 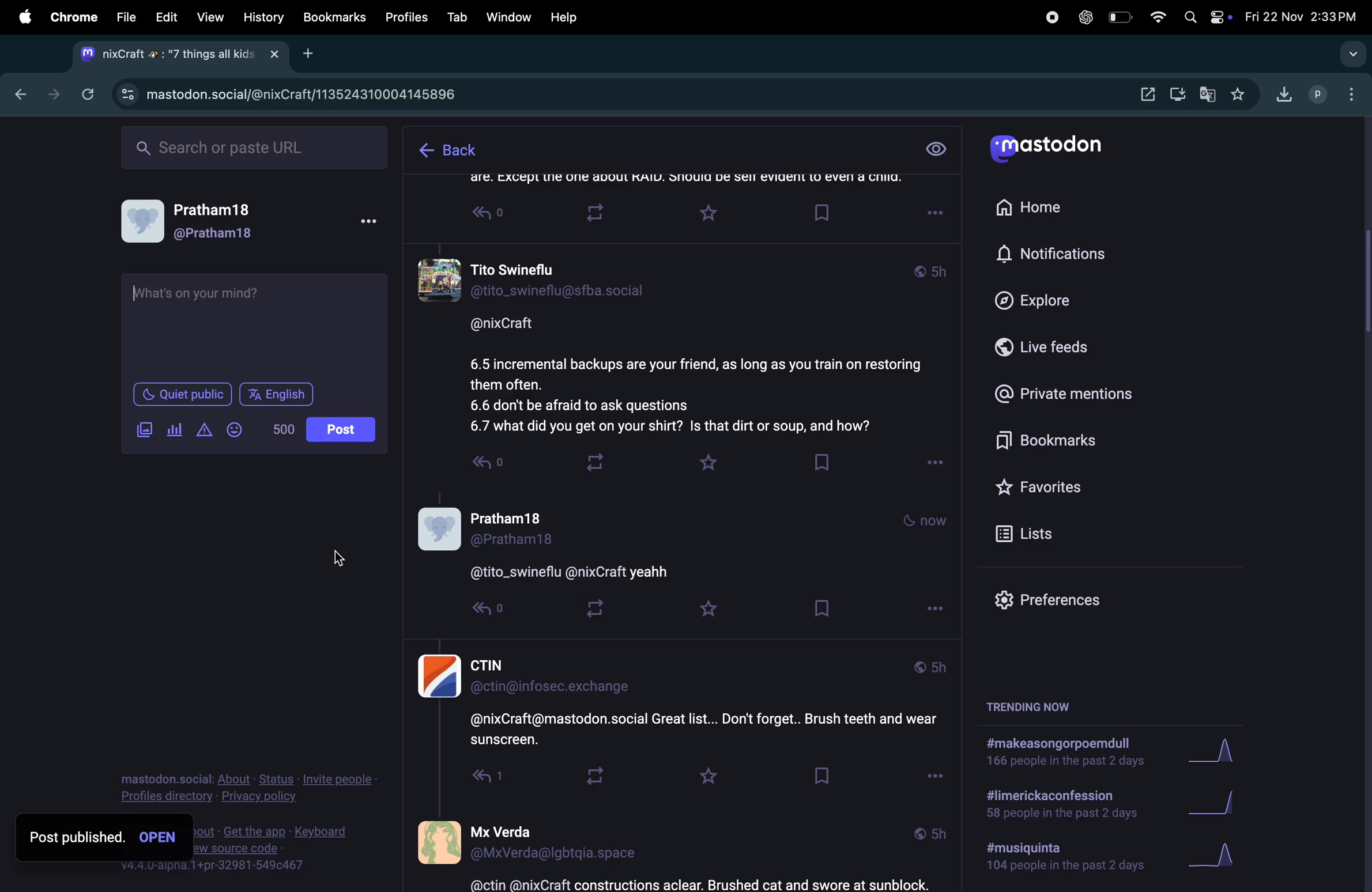 I want to click on tab, so click(x=457, y=17).